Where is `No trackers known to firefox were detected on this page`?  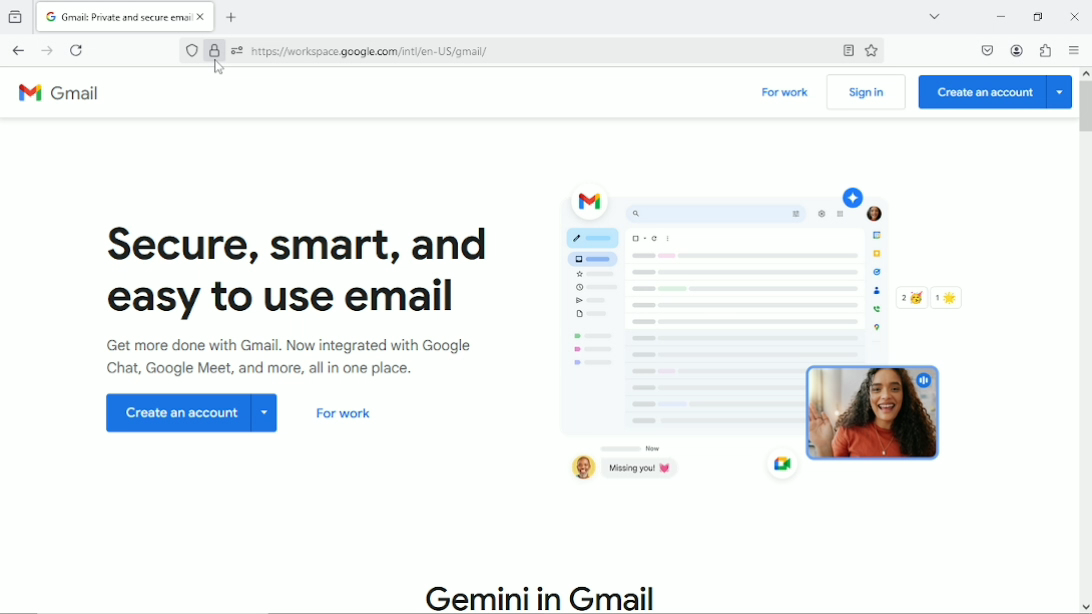
No trackers known to firefox were detected on this page is located at coordinates (191, 49).